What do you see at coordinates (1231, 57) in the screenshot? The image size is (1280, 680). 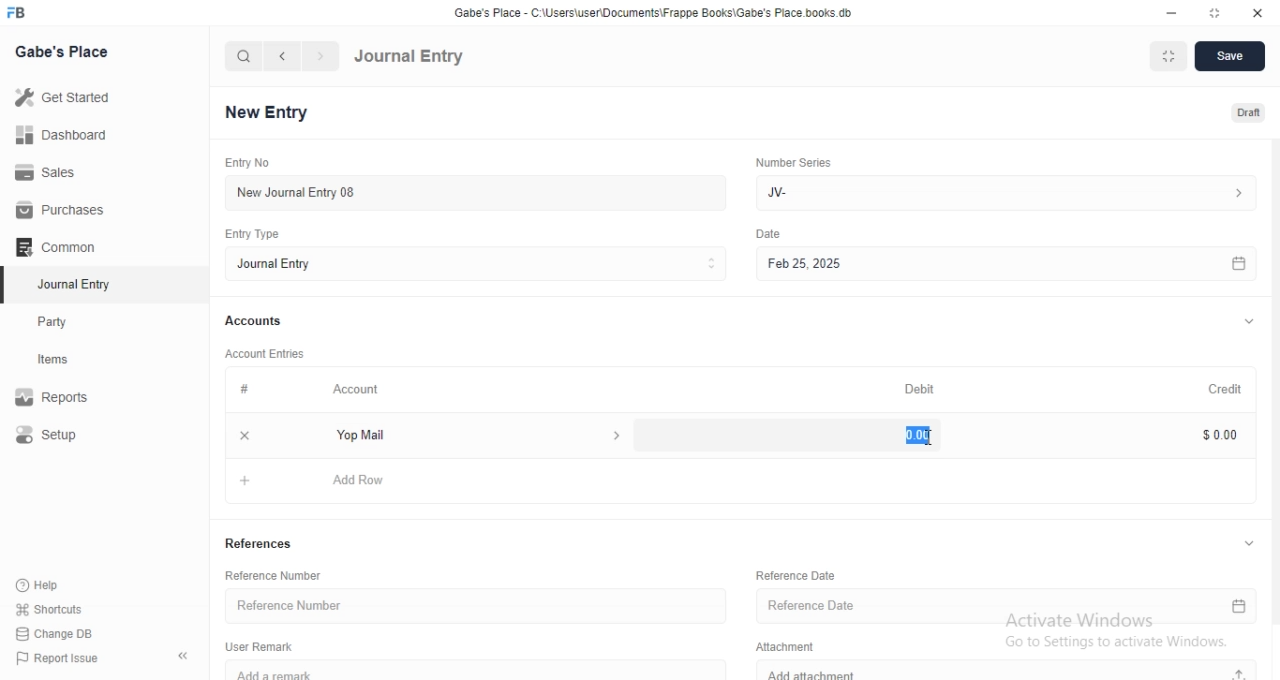 I see `Save` at bounding box center [1231, 57].